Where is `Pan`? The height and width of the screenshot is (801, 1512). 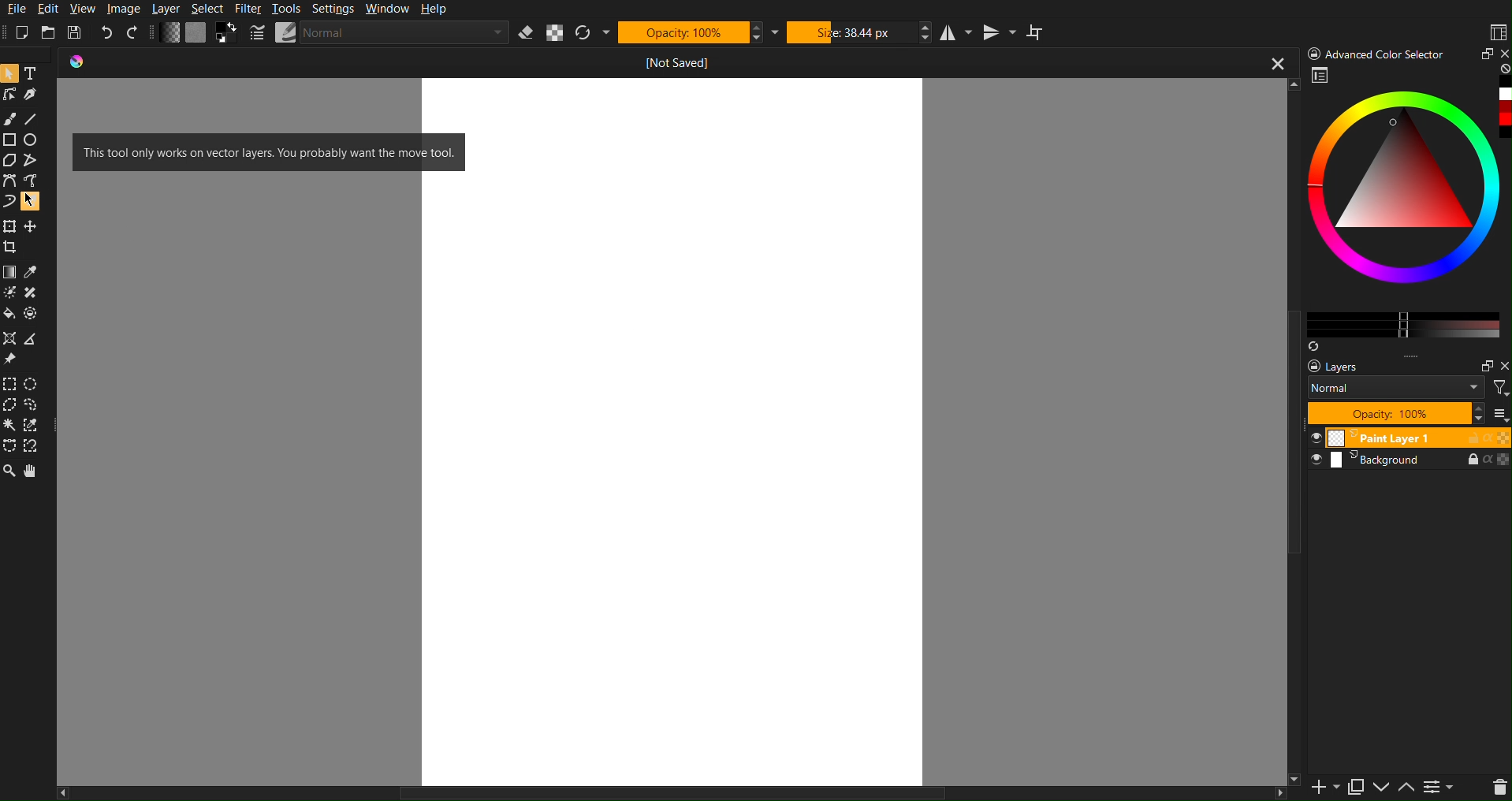 Pan is located at coordinates (35, 472).